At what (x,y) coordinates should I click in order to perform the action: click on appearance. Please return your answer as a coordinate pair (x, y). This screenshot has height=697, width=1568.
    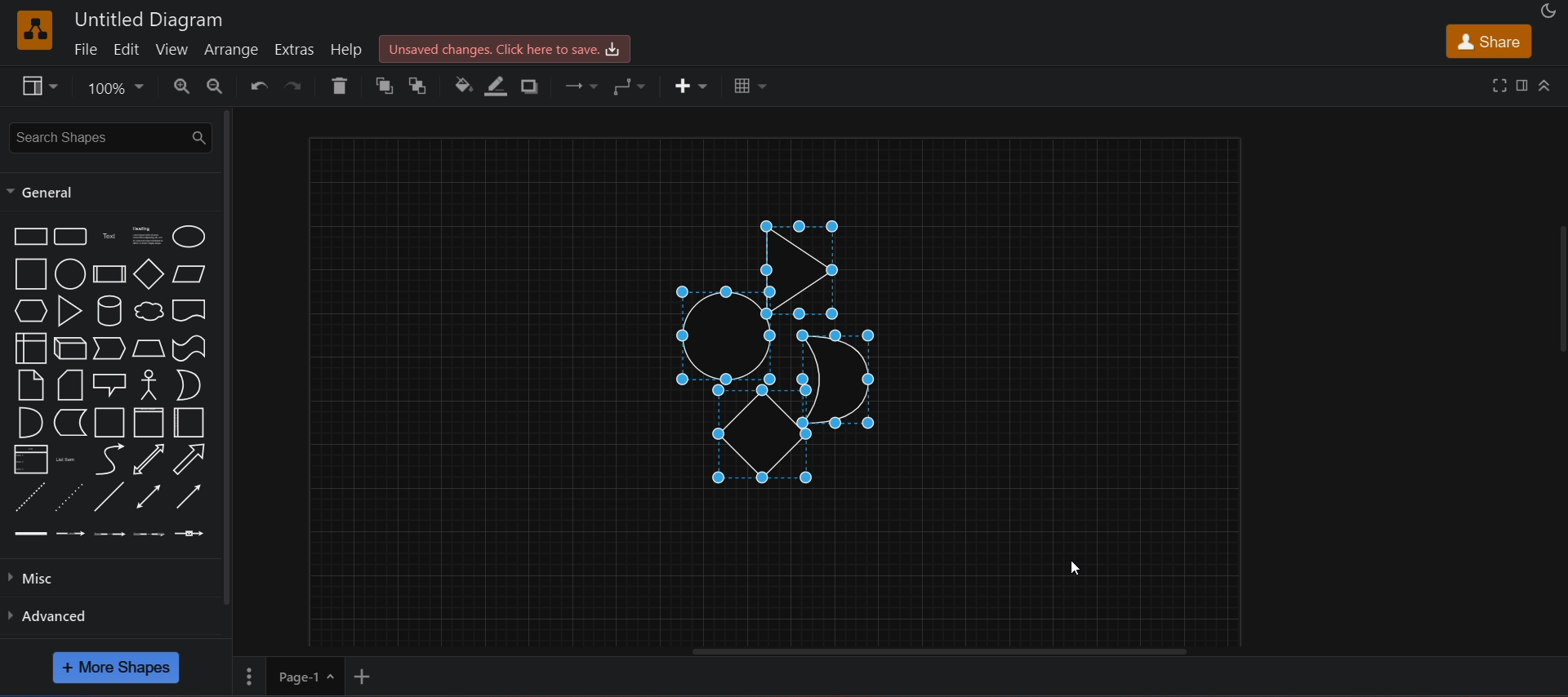
    Looking at the image, I should click on (1550, 10).